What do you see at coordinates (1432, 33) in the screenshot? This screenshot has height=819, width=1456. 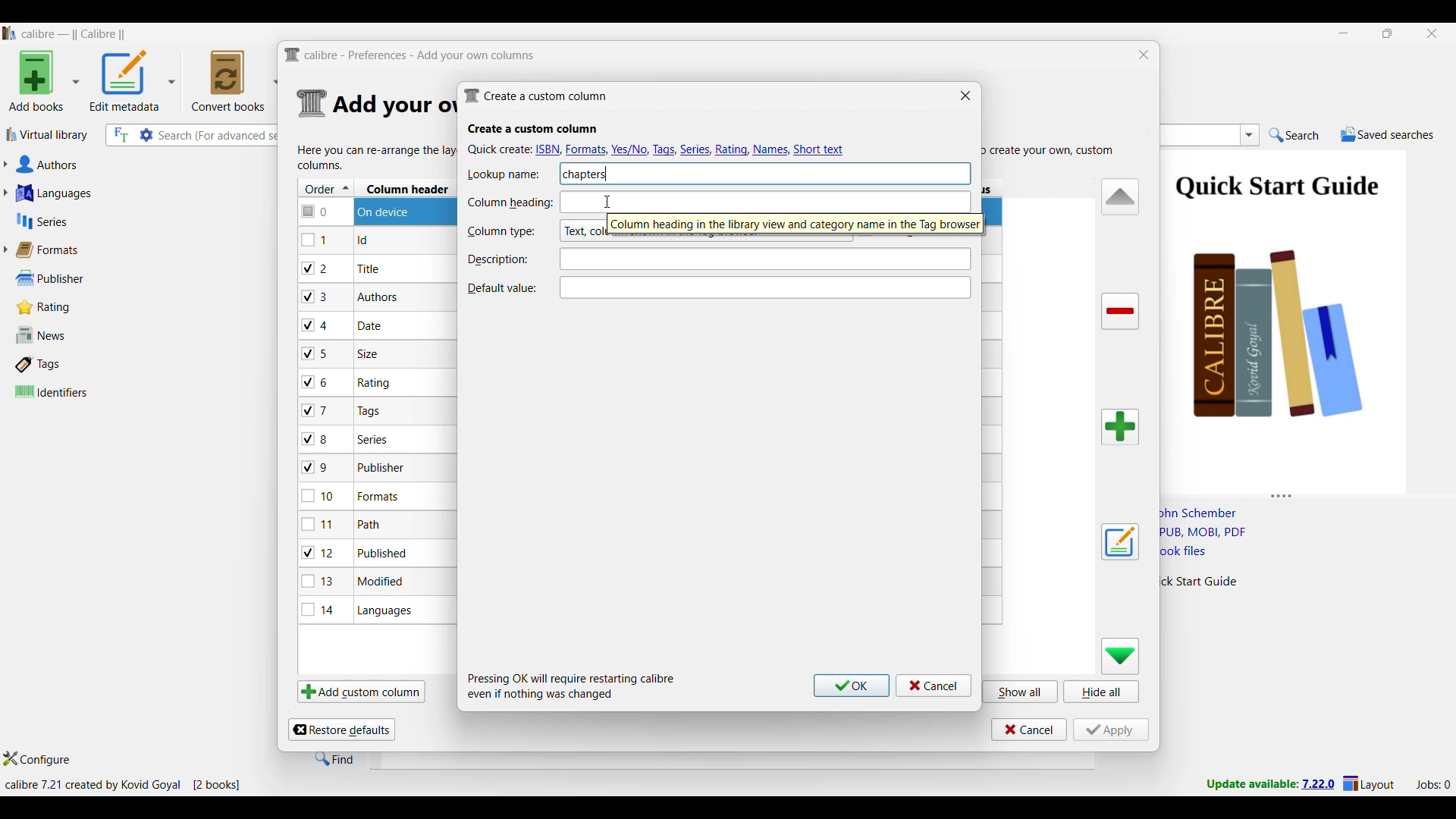 I see `Close interface` at bounding box center [1432, 33].